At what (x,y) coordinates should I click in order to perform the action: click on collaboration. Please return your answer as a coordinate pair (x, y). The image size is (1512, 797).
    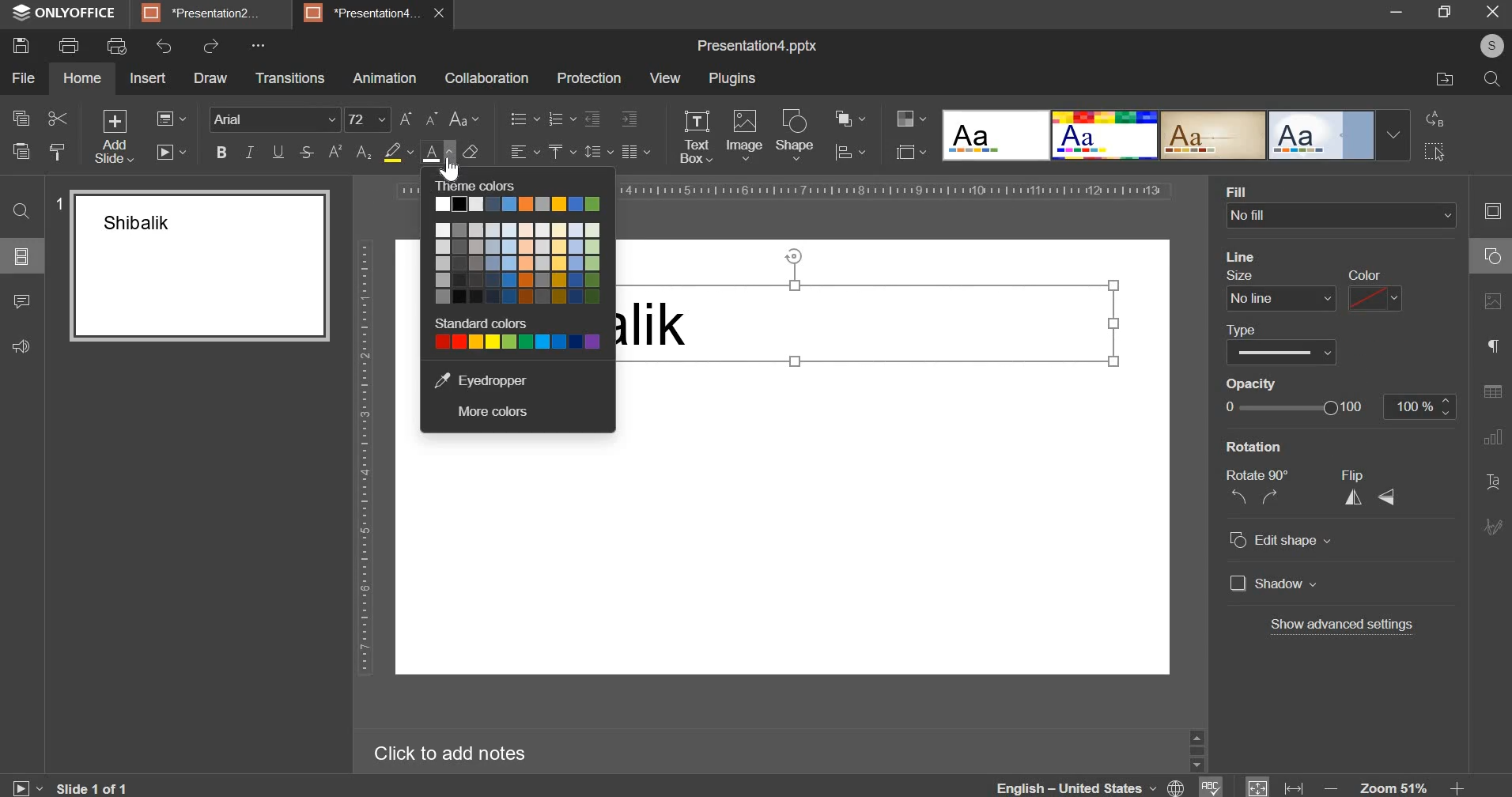
    Looking at the image, I should click on (486, 78).